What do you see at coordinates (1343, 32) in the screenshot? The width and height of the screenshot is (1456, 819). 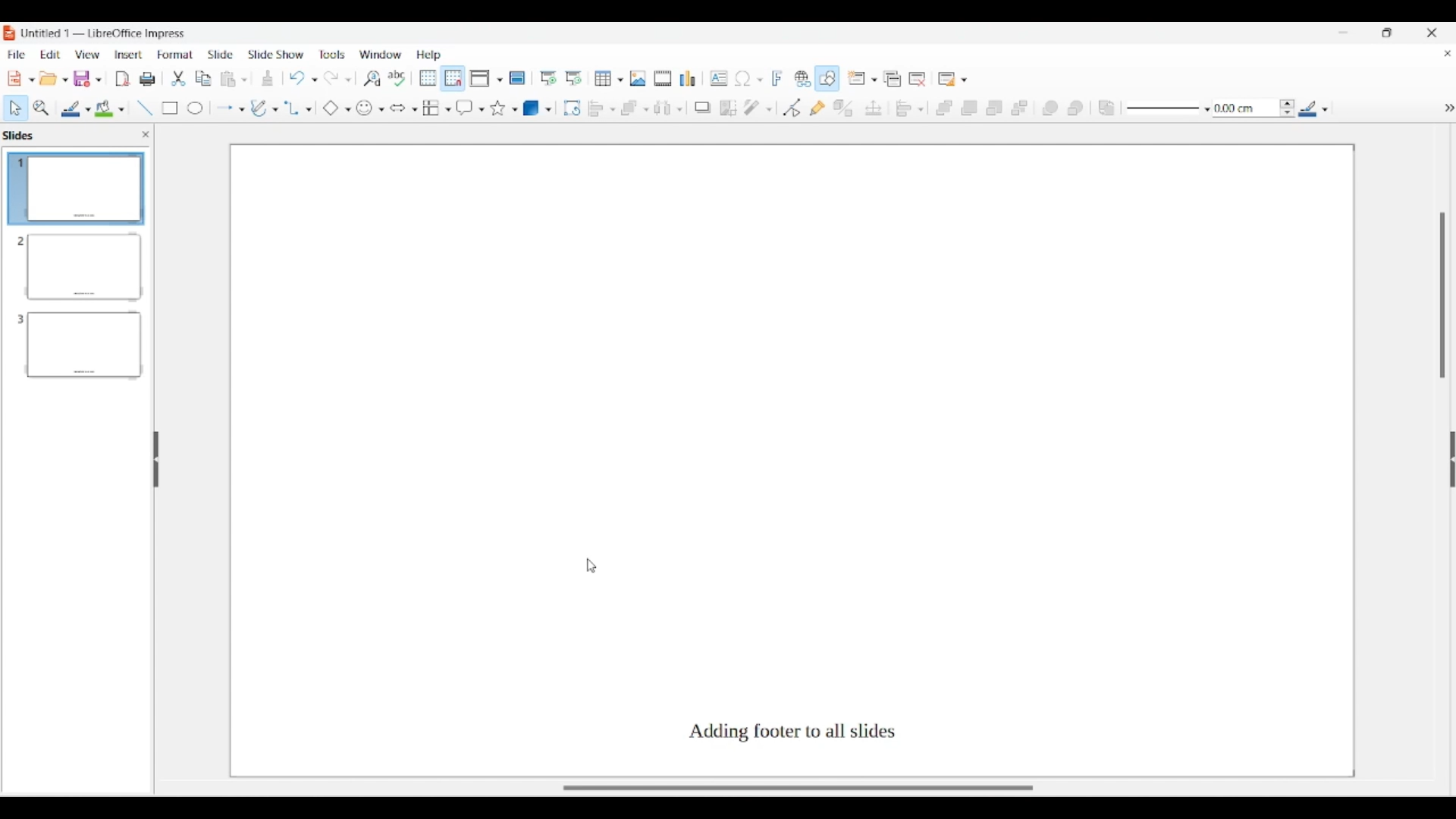 I see `Minimize` at bounding box center [1343, 32].